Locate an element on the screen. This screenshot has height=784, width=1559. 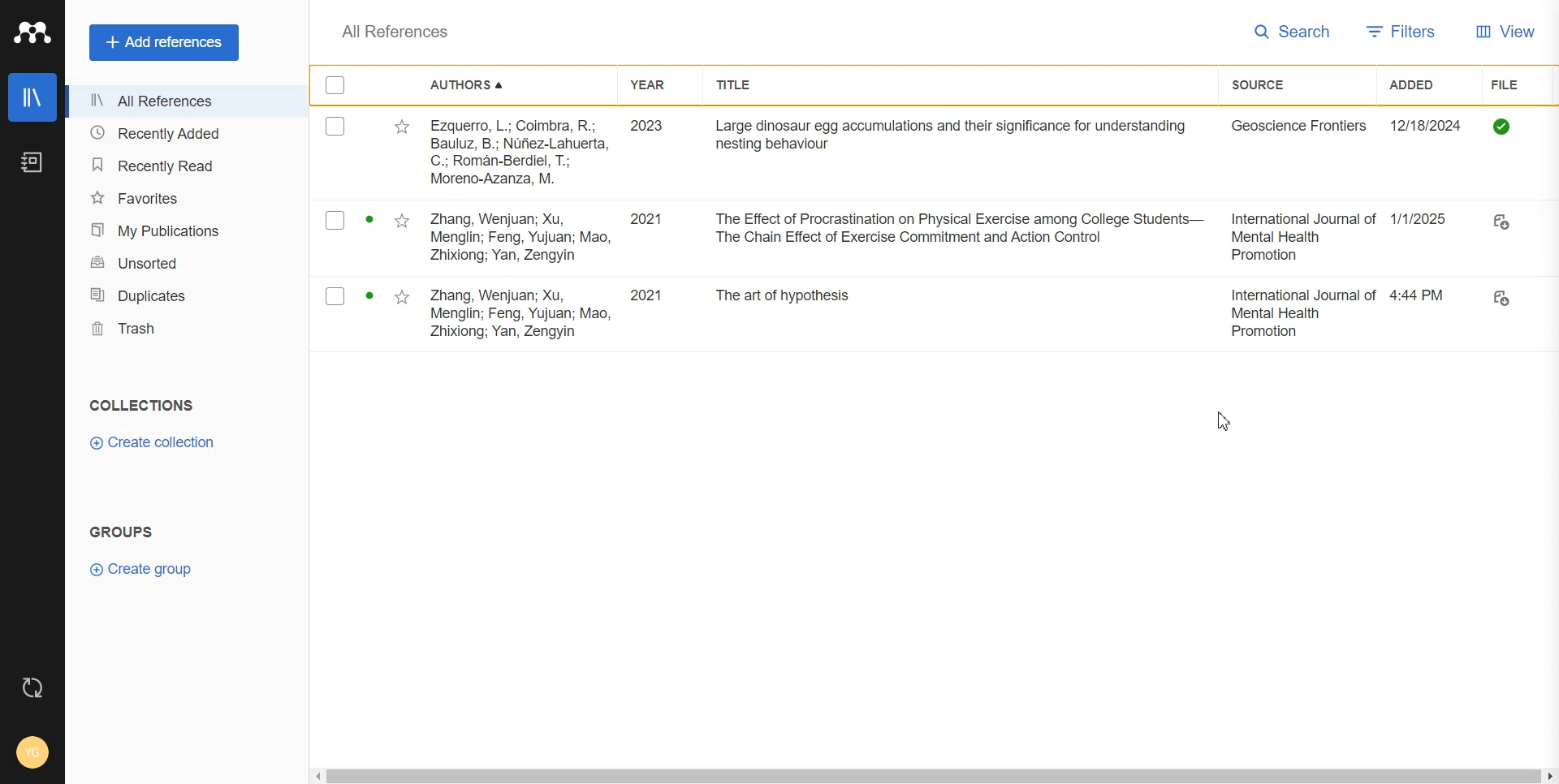
International journal of Mental Health is located at coordinates (1305, 235).